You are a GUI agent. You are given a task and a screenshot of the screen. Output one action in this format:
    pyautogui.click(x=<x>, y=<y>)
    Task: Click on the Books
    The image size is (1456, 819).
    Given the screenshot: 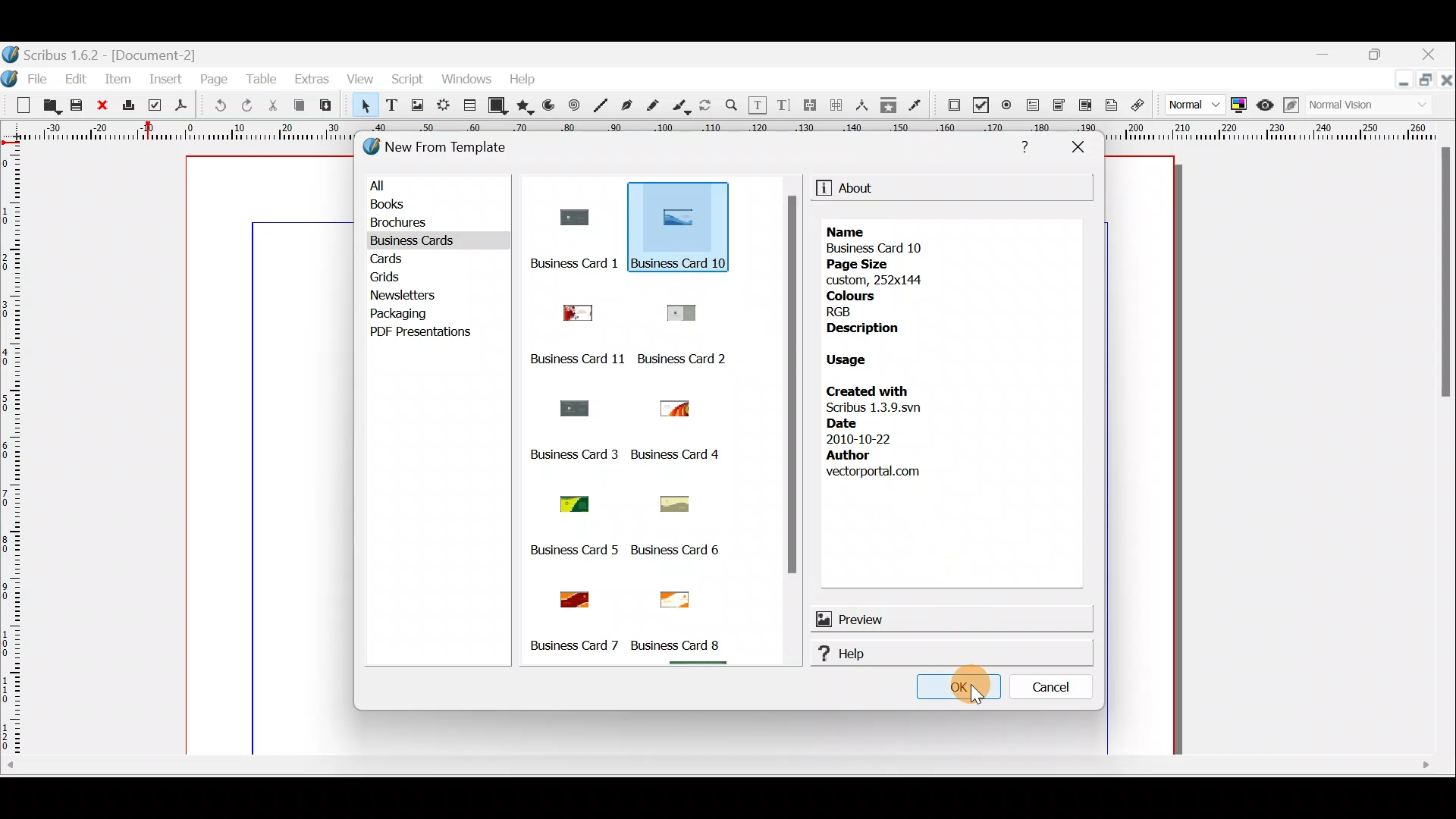 What is the action you would take?
    pyautogui.click(x=431, y=206)
    